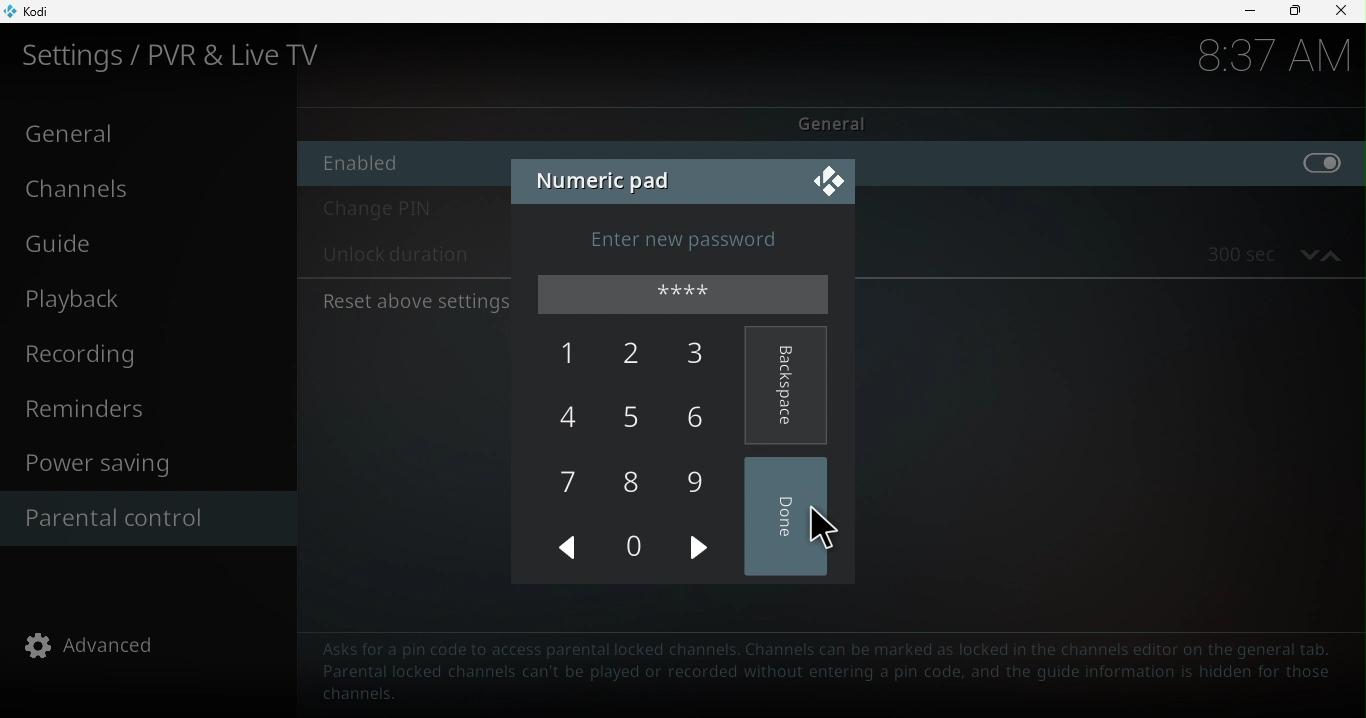 This screenshot has width=1366, height=718. I want to click on 7, so click(566, 486).